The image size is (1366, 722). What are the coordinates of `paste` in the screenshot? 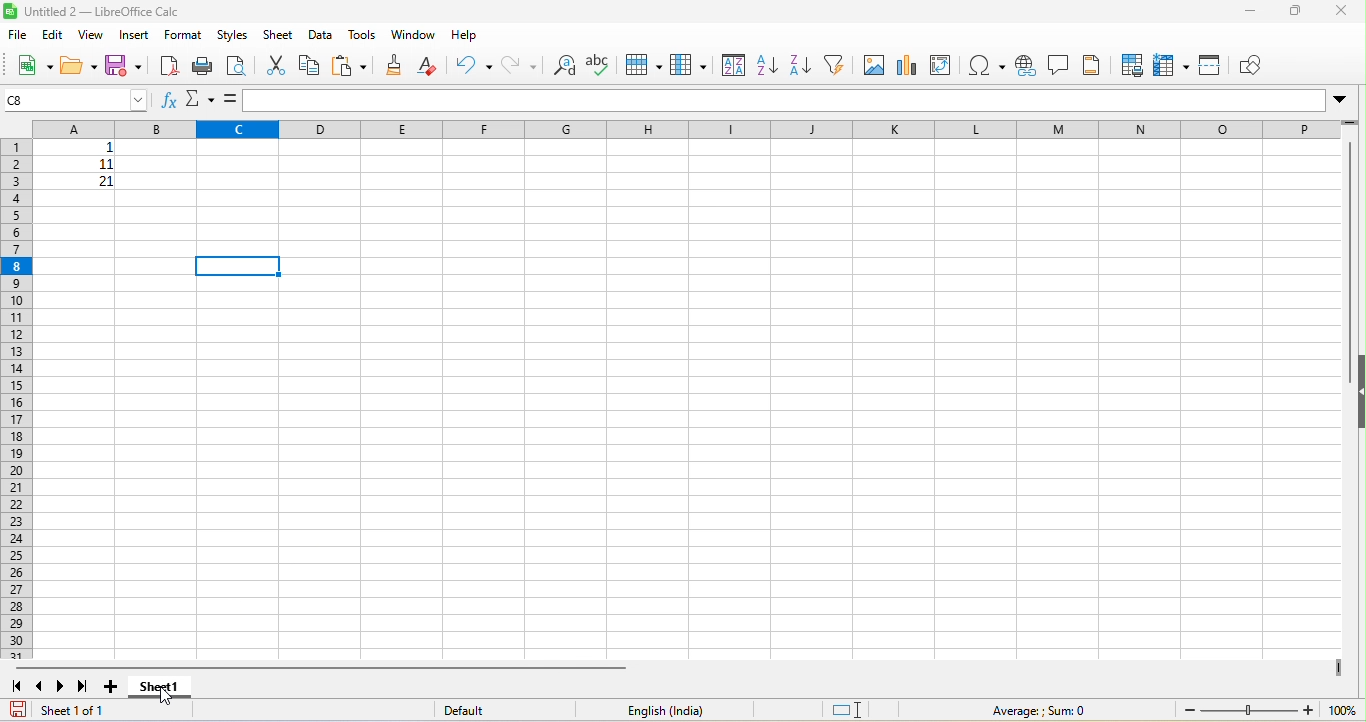 It's located at (349, 66).